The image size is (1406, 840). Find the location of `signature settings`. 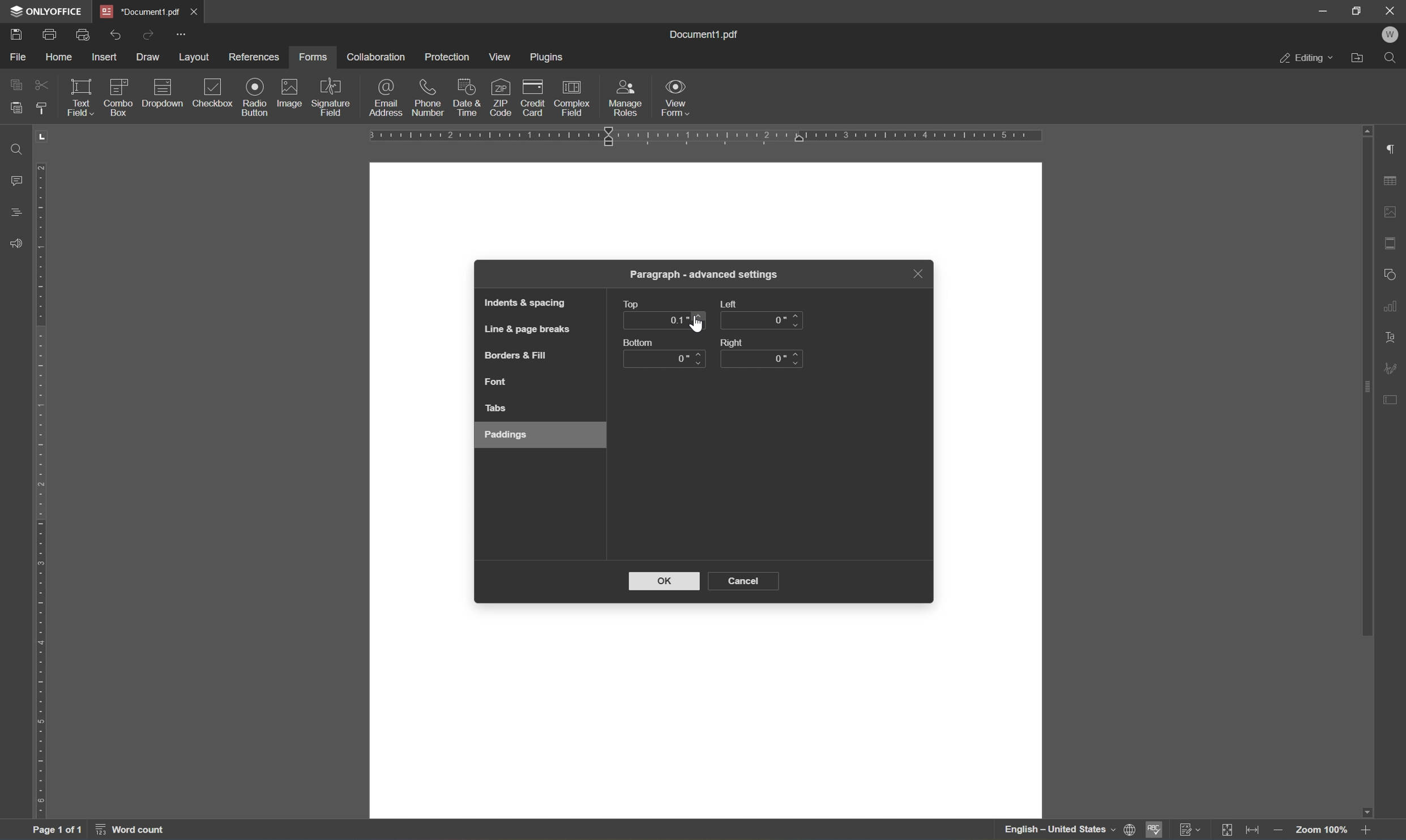

signature settings is located at coordinates (1394, 368).